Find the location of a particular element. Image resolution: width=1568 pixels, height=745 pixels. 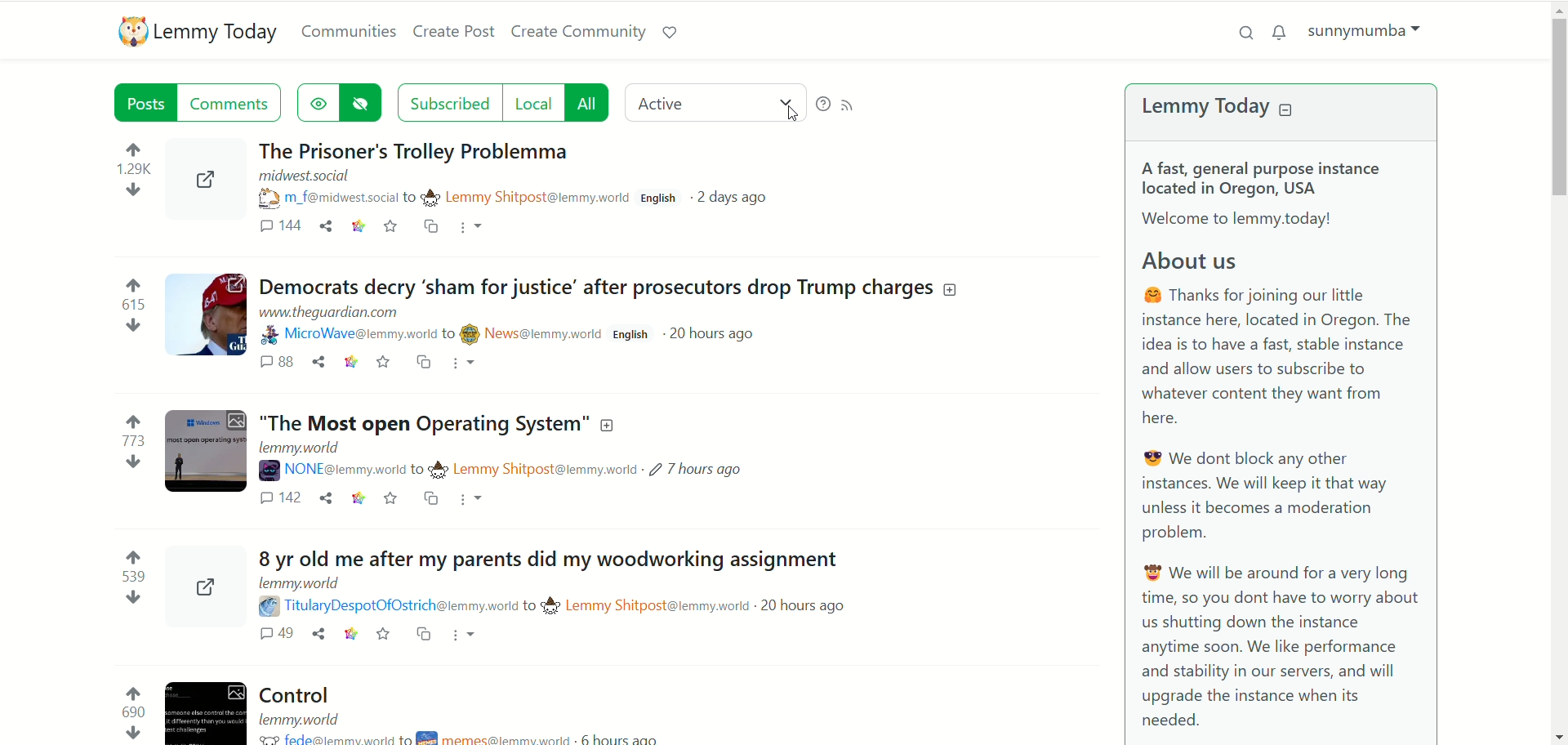

cross post is located at coordinates (434, 227).